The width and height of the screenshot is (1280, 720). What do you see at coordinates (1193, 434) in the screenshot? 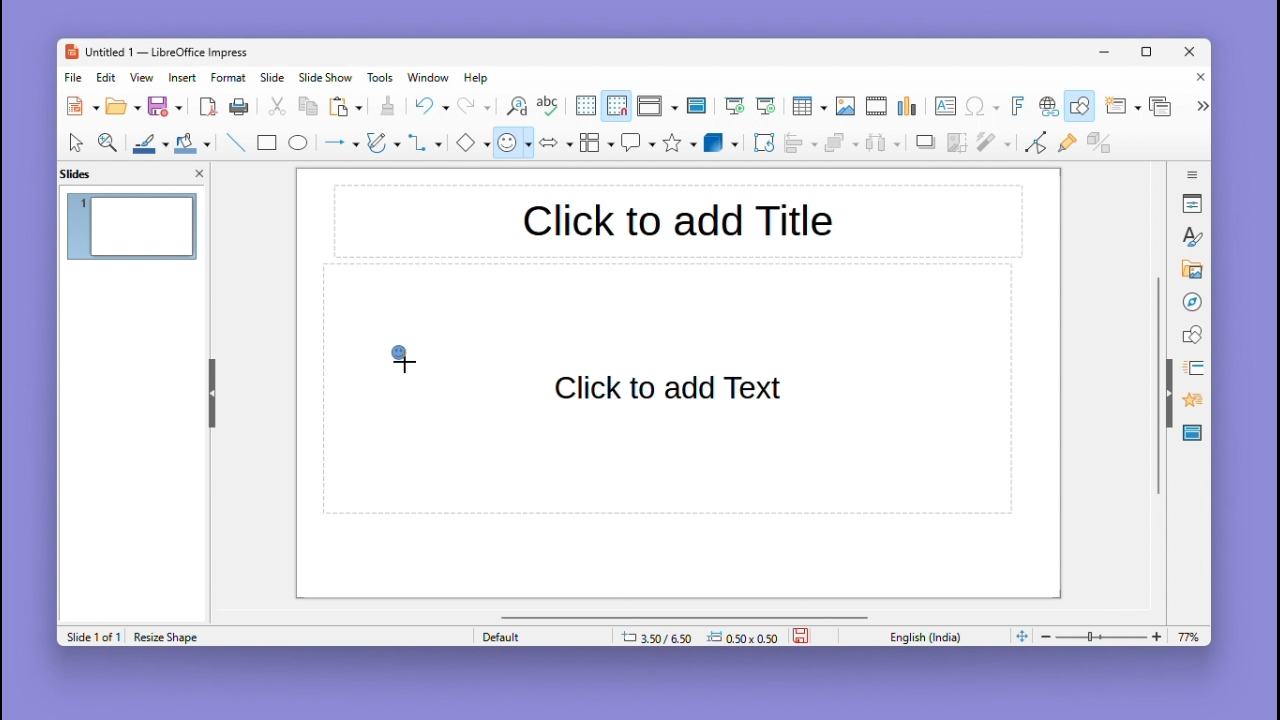
I see `Masters slide` at bounding box center [1193, 434].